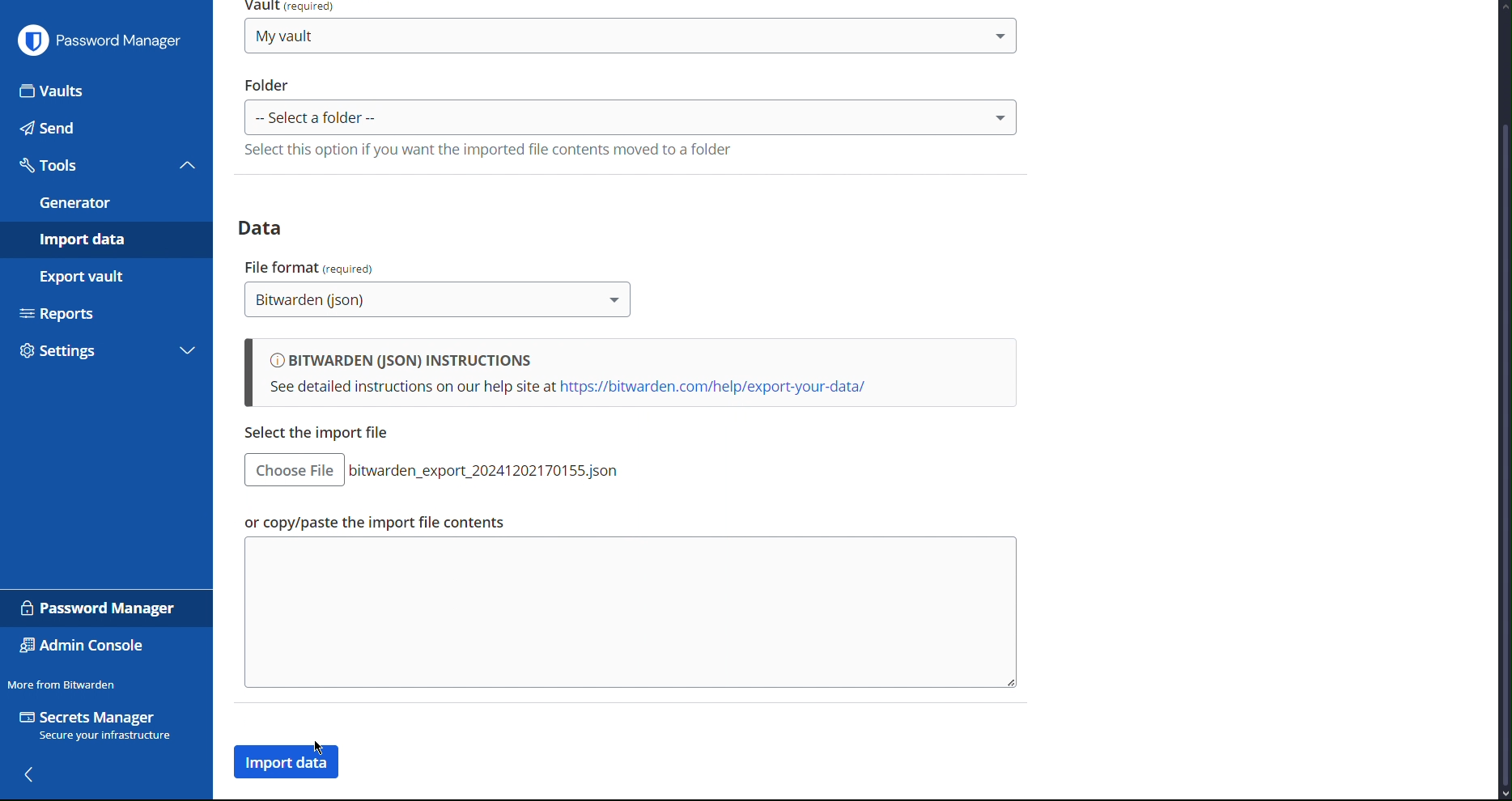  I want to click on Import Data, so click(290, 763).